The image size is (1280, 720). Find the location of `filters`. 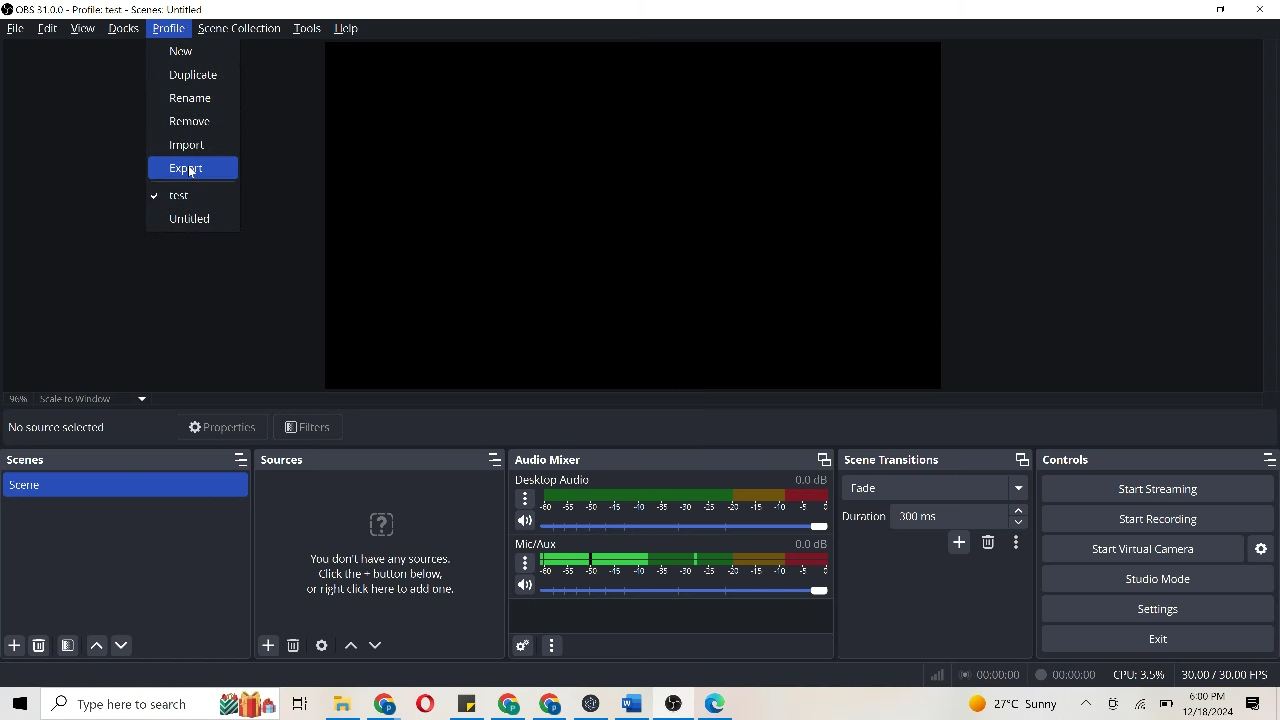

filters is located at coordinates (316, 425).